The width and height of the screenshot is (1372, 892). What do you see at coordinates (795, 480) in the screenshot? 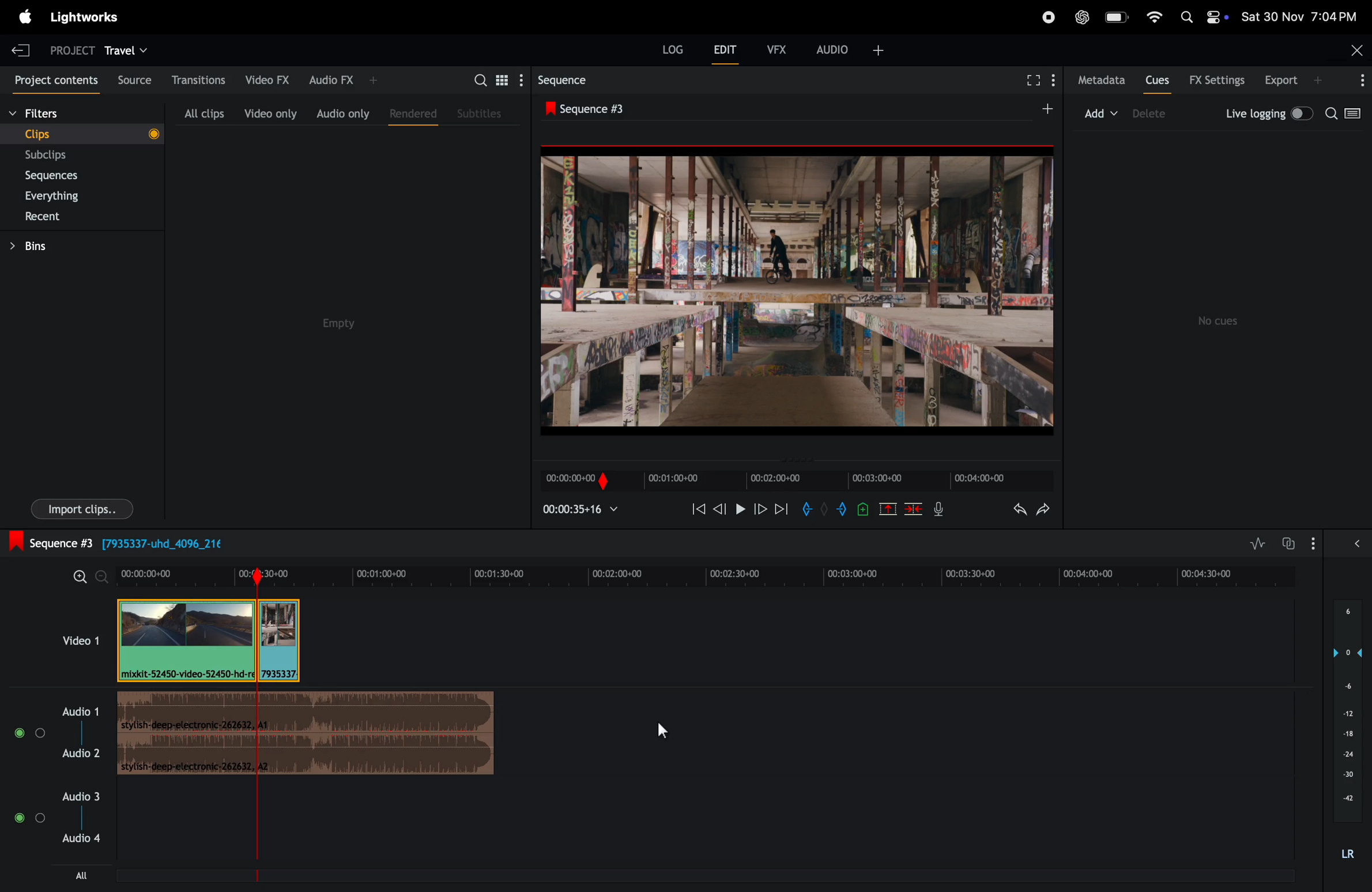
I see `time frame` at bounding box center [795, 480].